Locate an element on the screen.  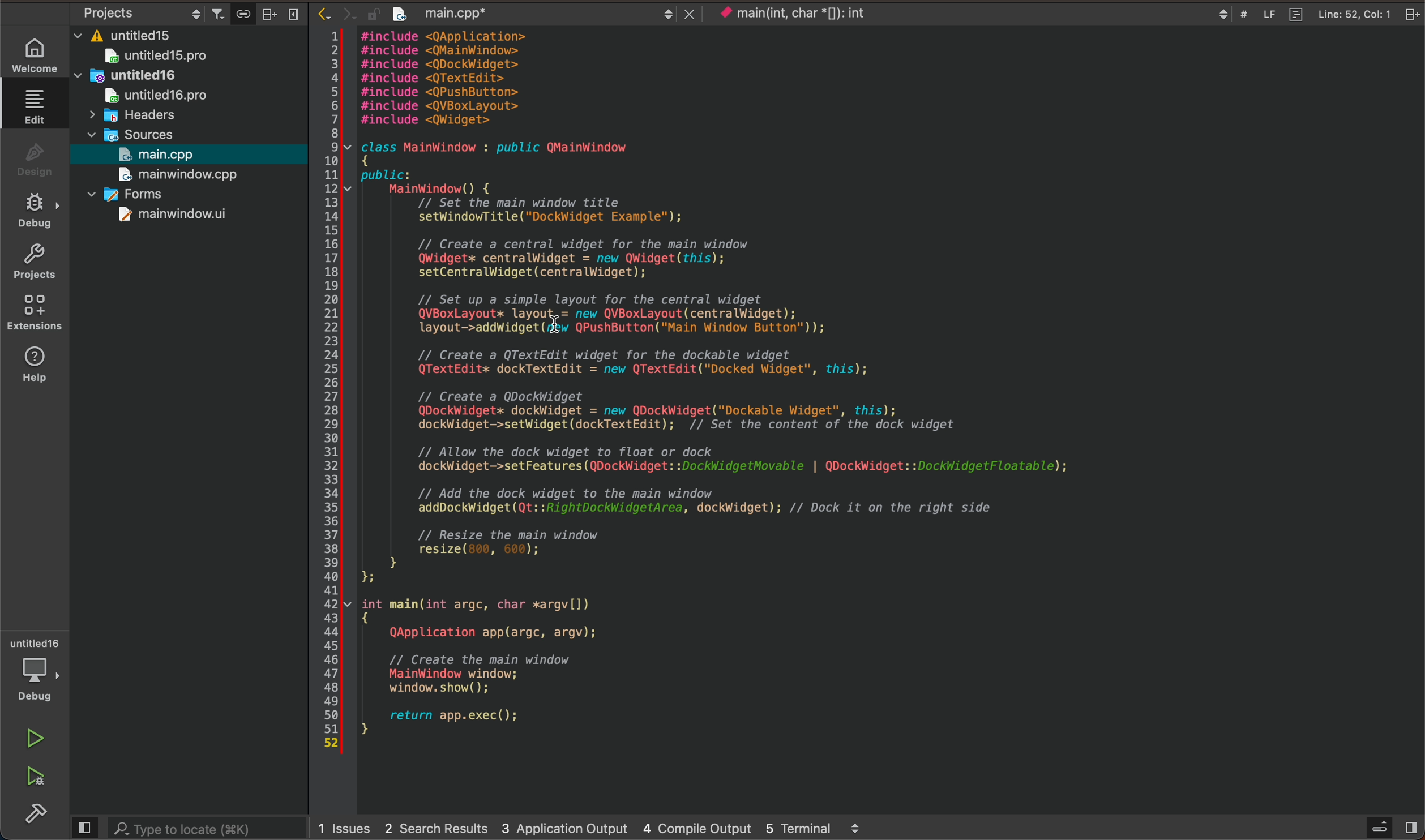
sources is located at coordinates (141, 132).